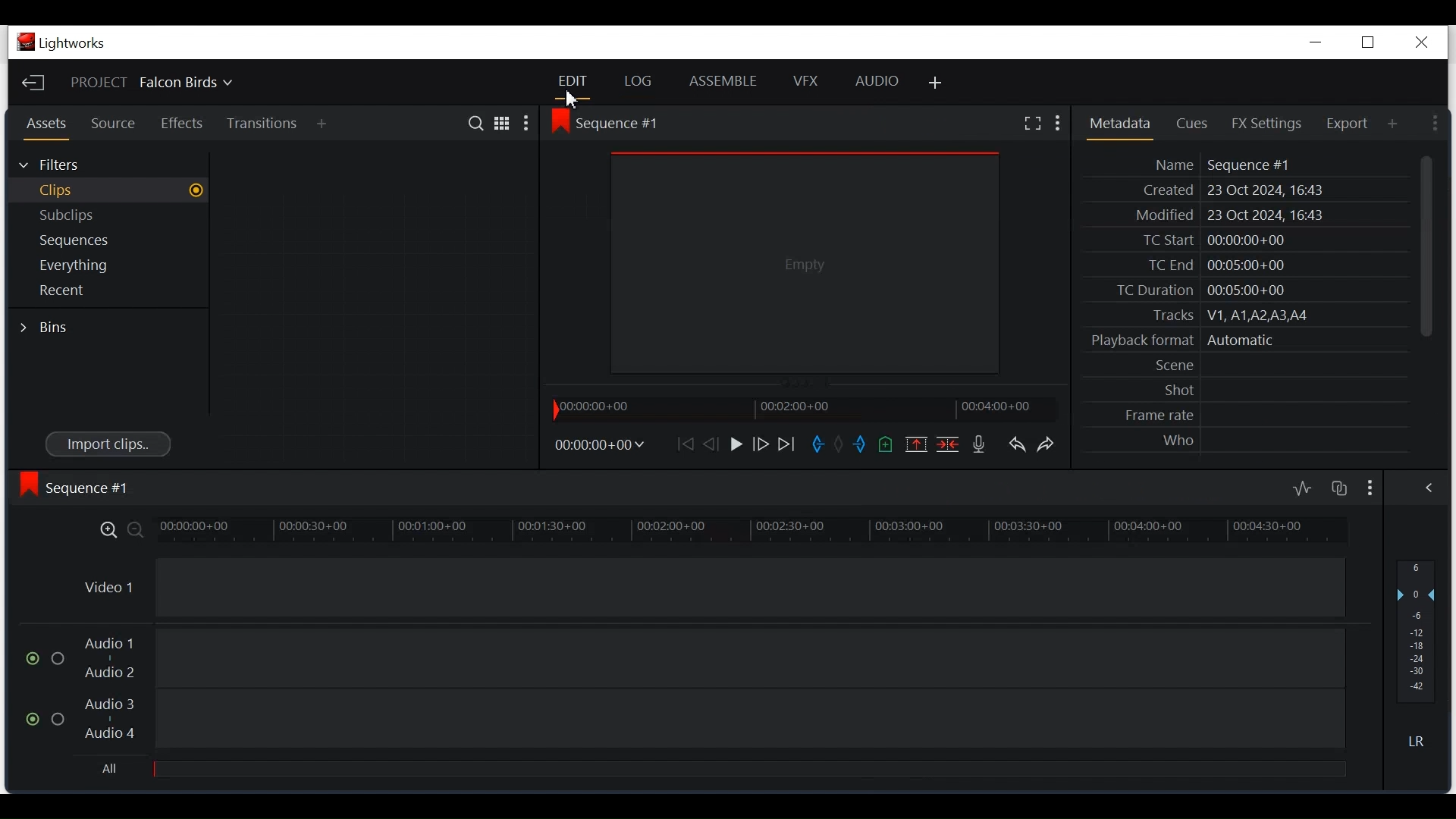 Image resolution: width=1456 pixels, height=819 pixels. What do you see at coordinates (1313, 42) in the screenshot?
I see `Minimize` at bounding box center [1313, 42].